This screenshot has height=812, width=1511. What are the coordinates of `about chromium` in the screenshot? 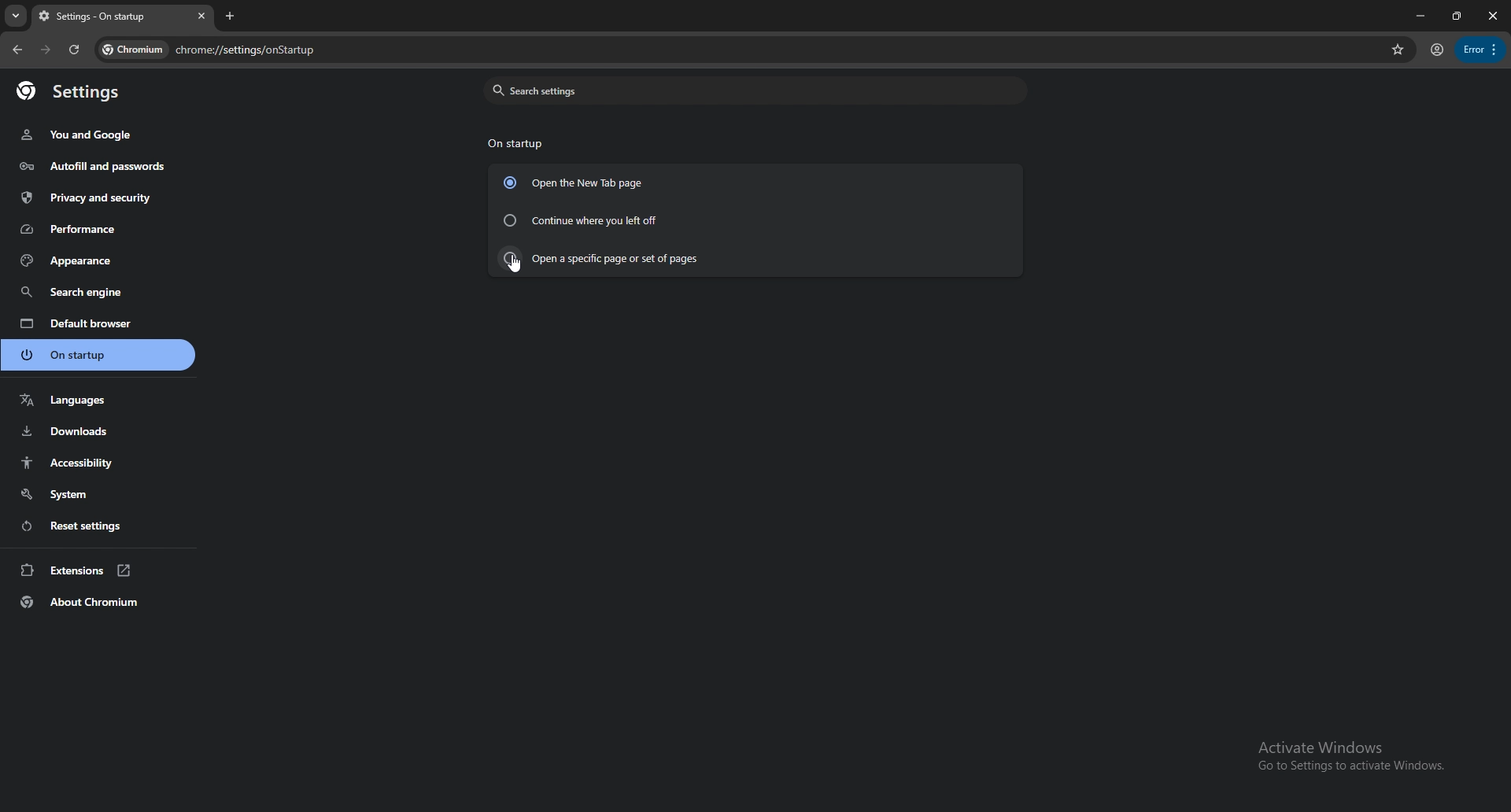 It's located at (99, 602).